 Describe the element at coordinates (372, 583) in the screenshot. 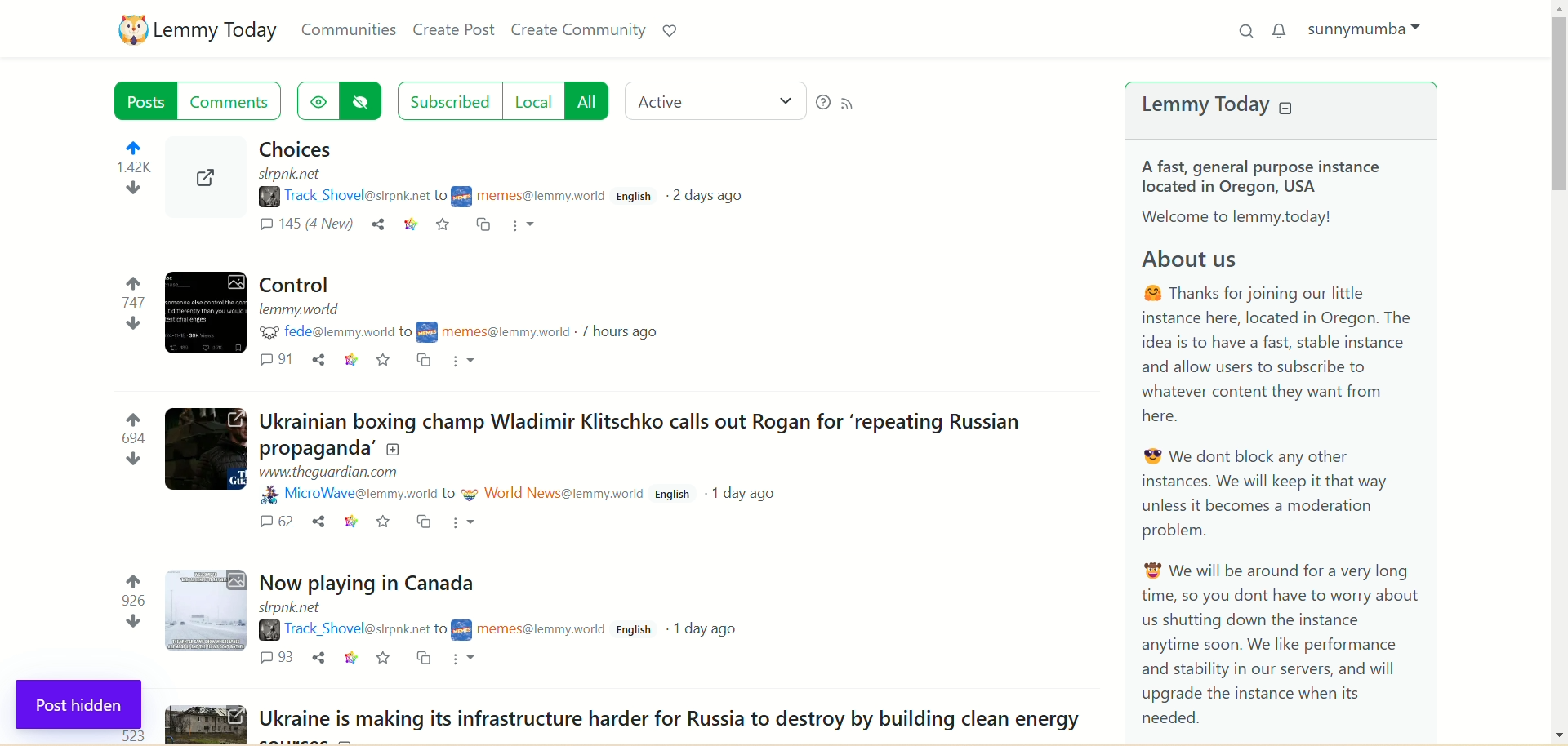

I see `Post on "Now playing in Canada"` at that location.